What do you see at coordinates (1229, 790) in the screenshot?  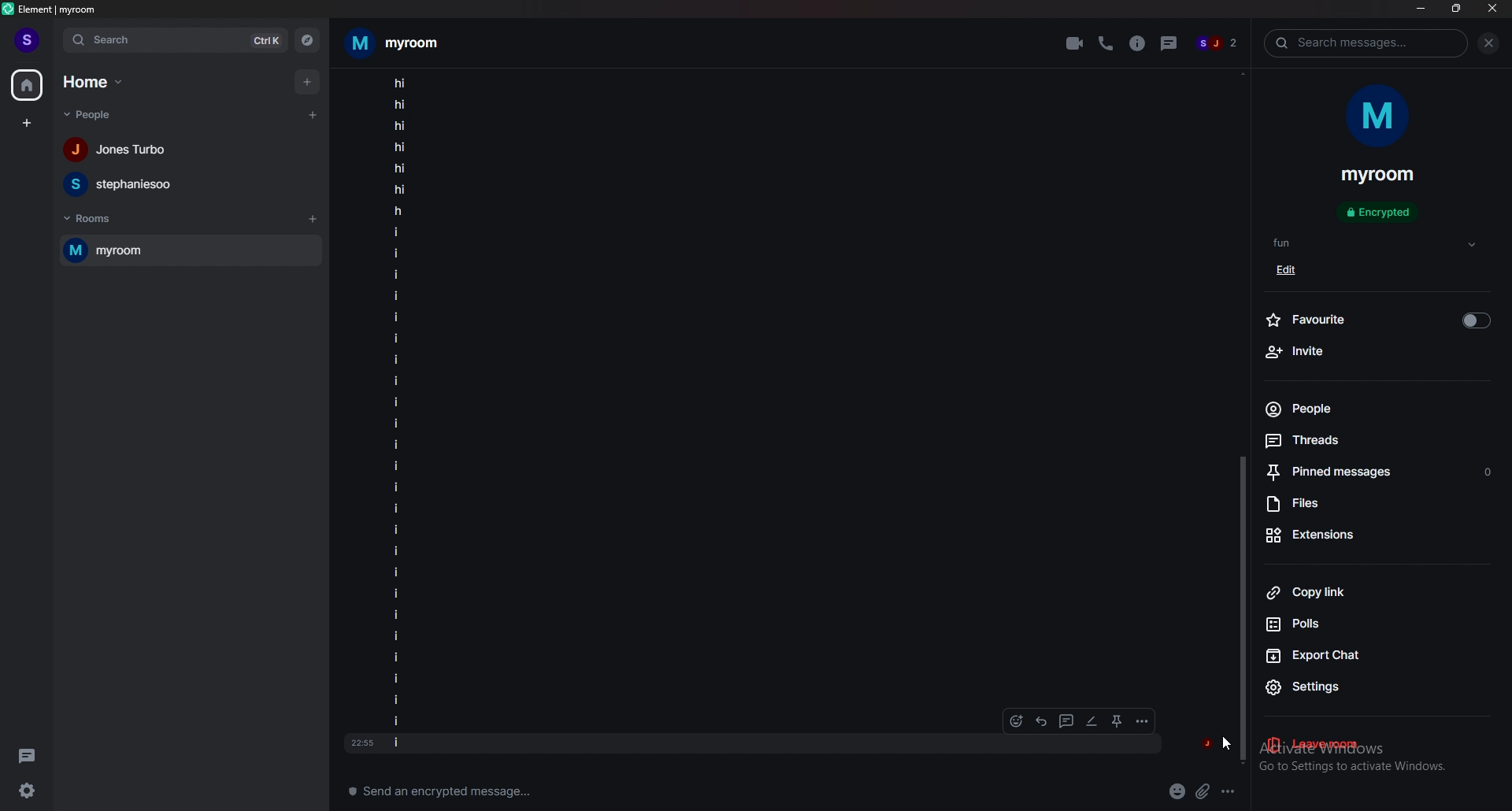 I see `options` at bounding box center [1229, 790].